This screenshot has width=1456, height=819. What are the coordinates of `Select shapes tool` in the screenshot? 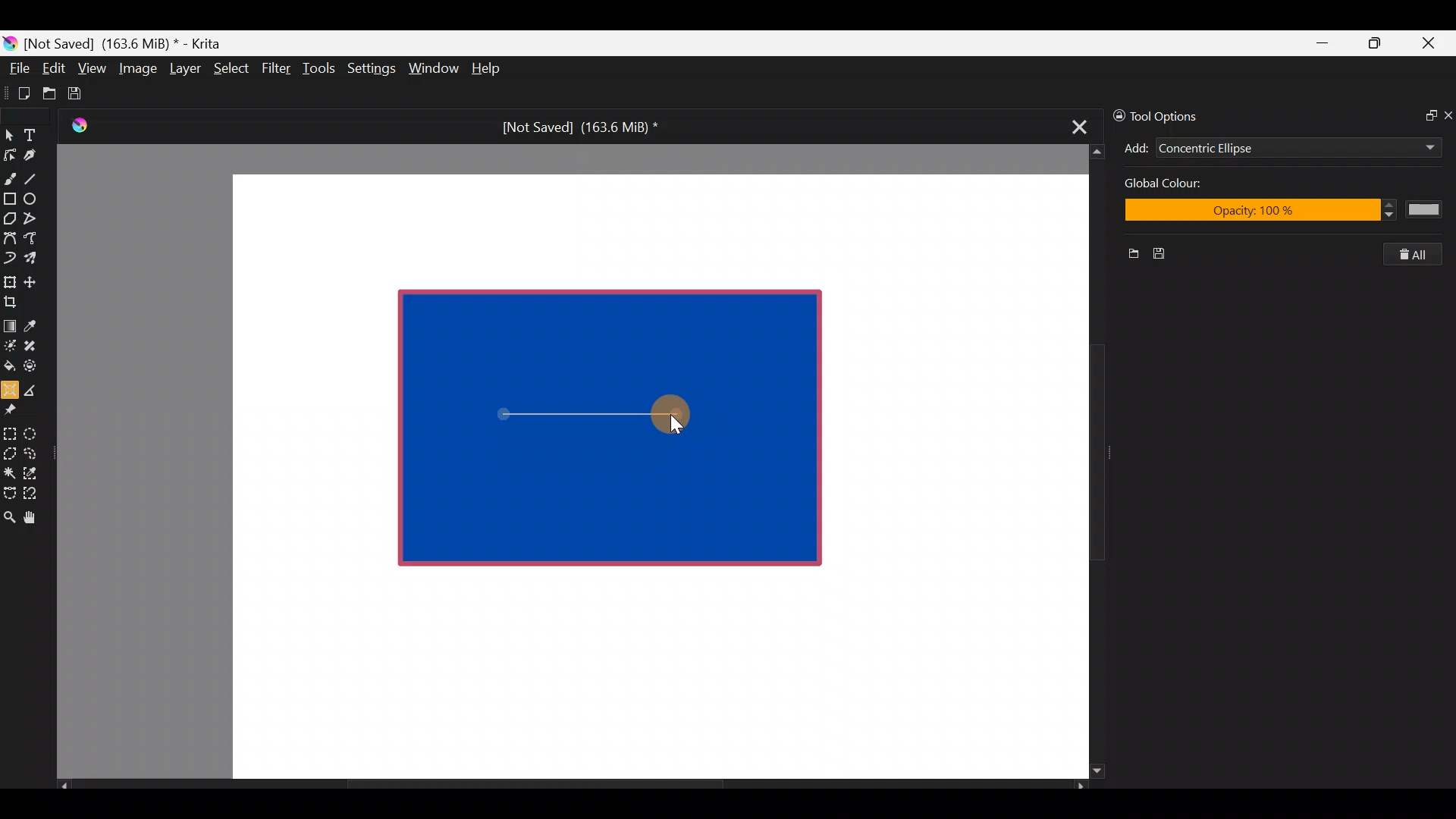 It's located at (9, 136).